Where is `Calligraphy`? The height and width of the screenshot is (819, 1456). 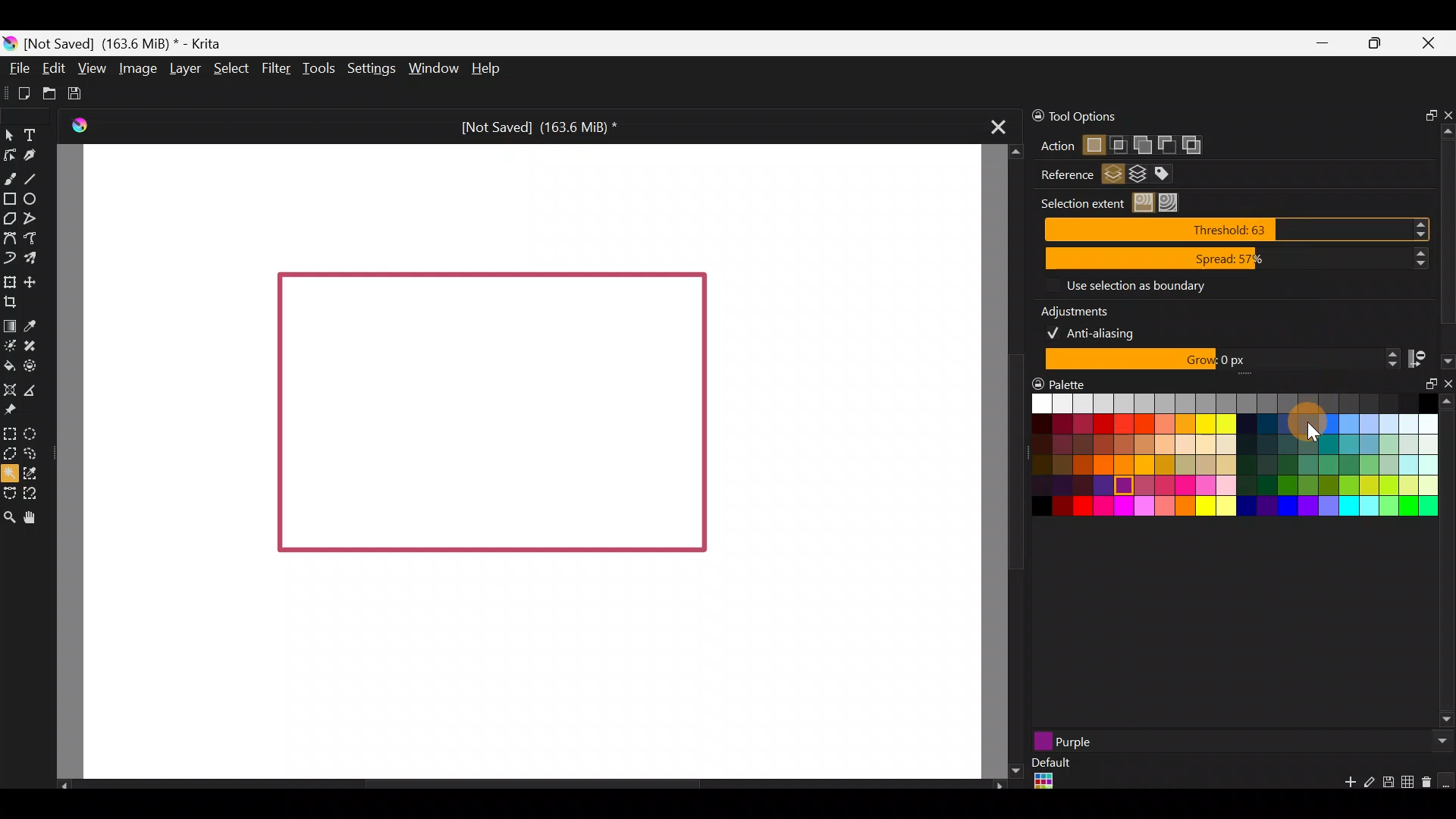
Calligraphy is located at coordinates (33, 155).